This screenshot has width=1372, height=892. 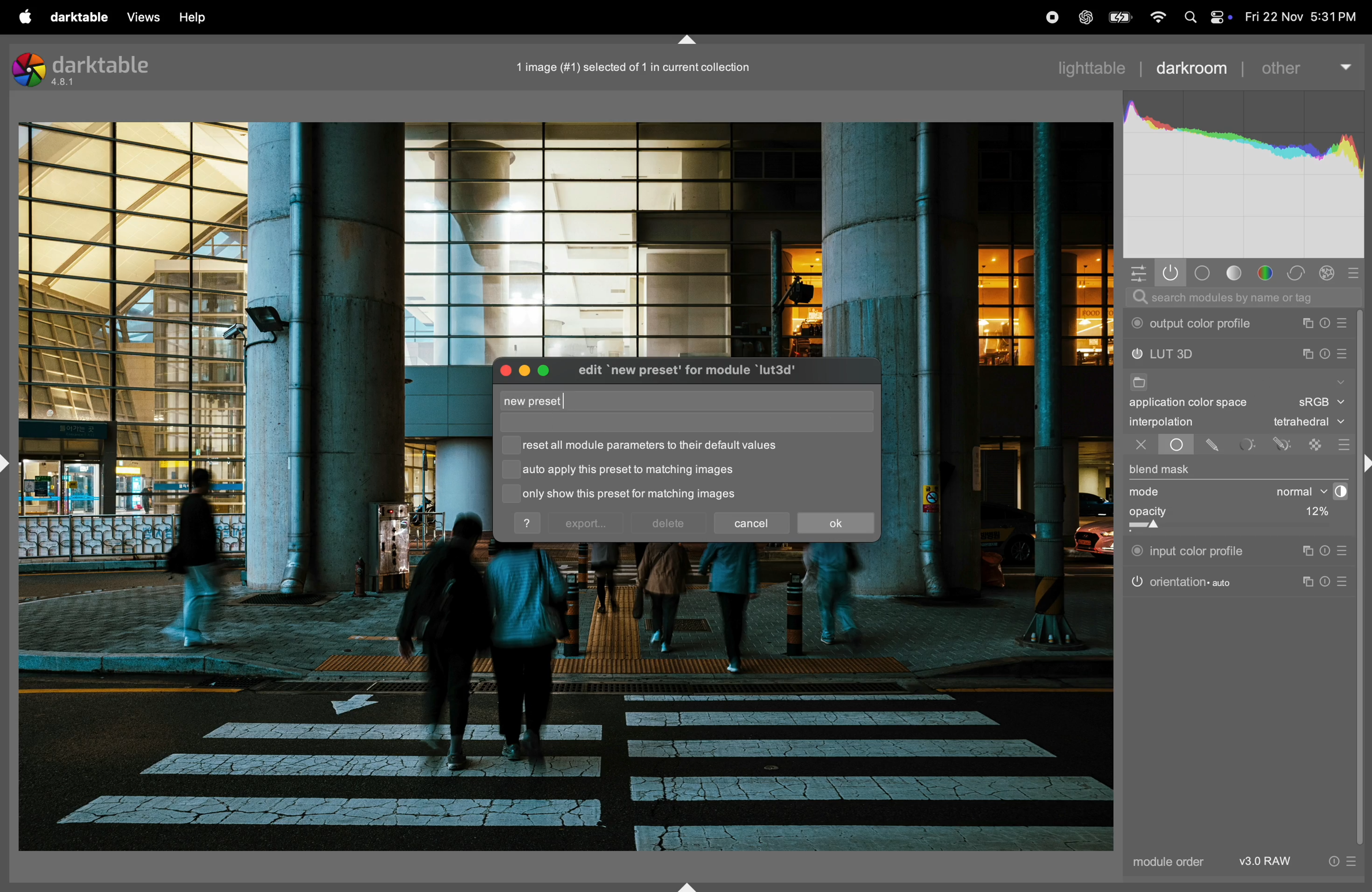 What do you see at coordinates (1136, 271) in the screenshot?
I see `quick access panel` at bounding box center [1136, 271].